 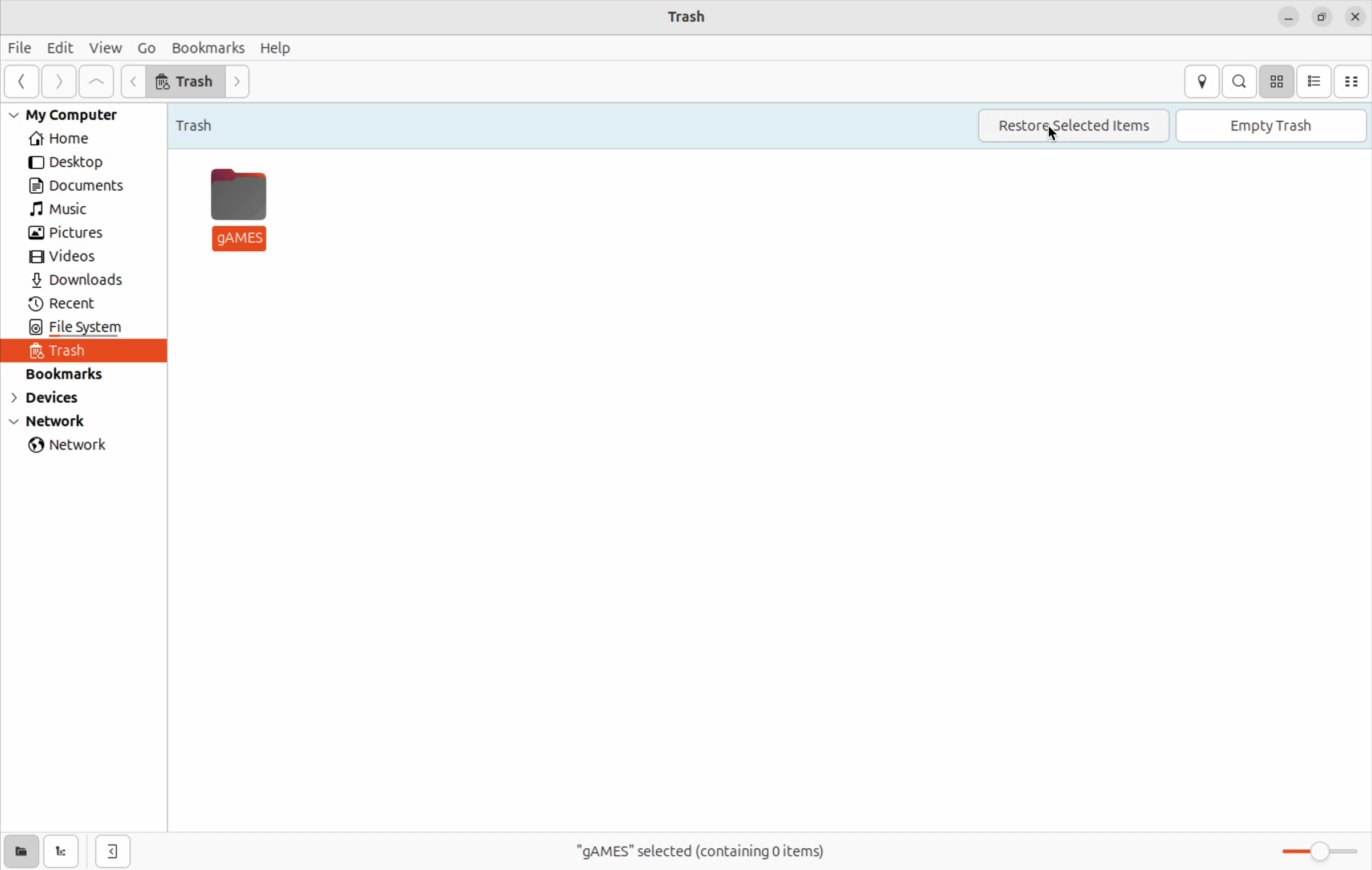 What do you see at coordinates (21, 851) in the screenshot?
I see `show places` at bounding box center [21, 851].